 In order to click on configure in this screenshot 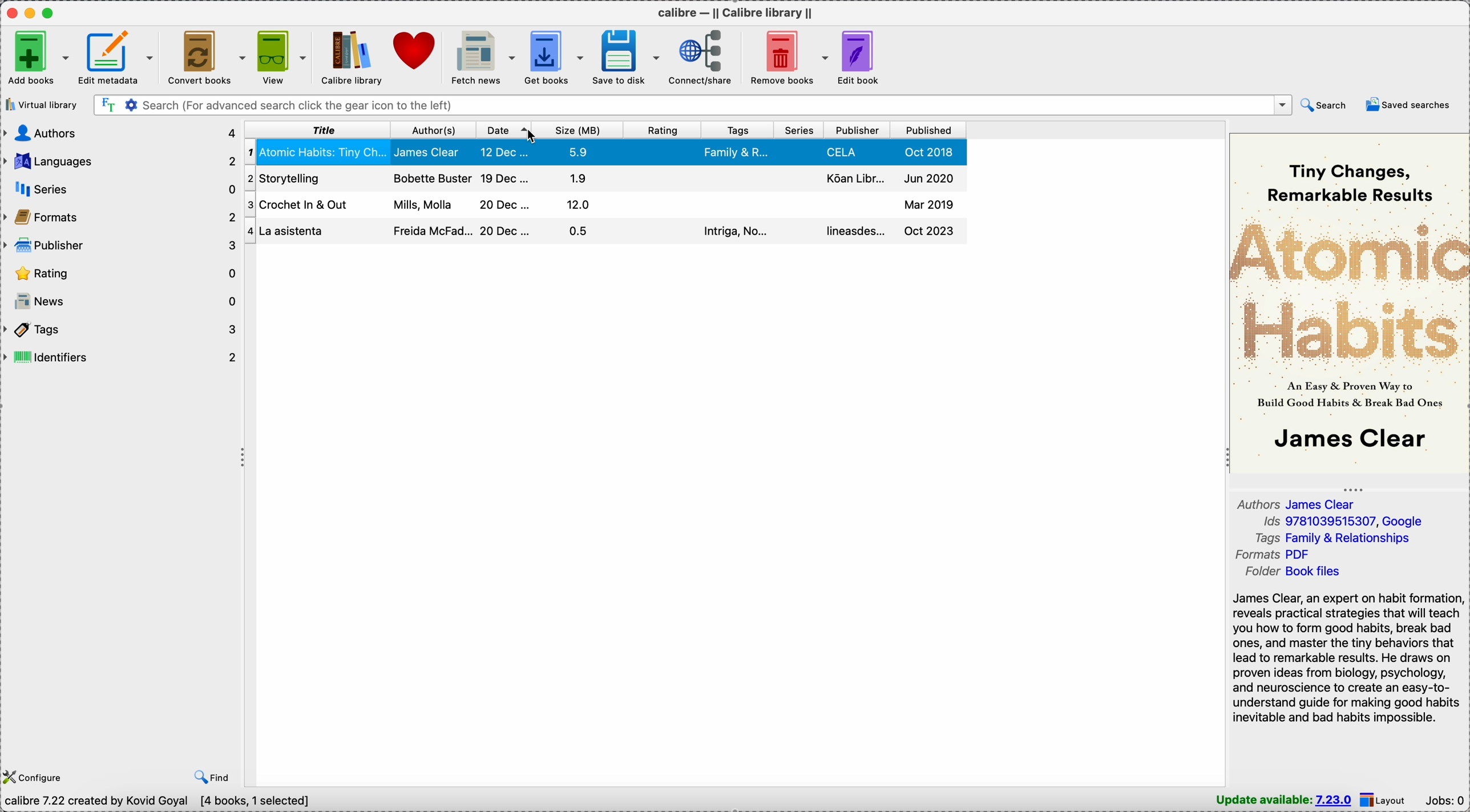, I will do `click(35, 775)`.